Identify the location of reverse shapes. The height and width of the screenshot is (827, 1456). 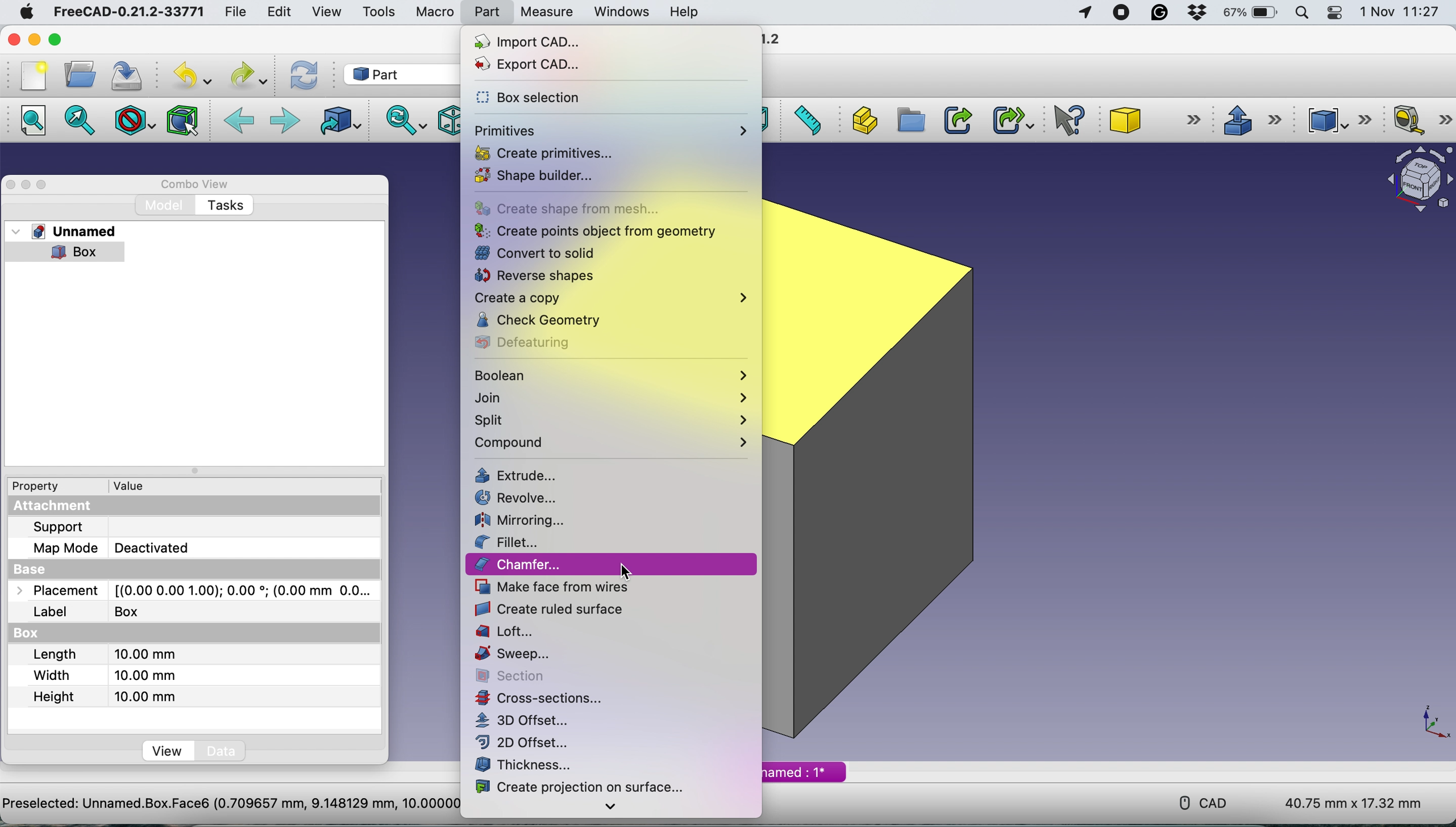
(551, 277).